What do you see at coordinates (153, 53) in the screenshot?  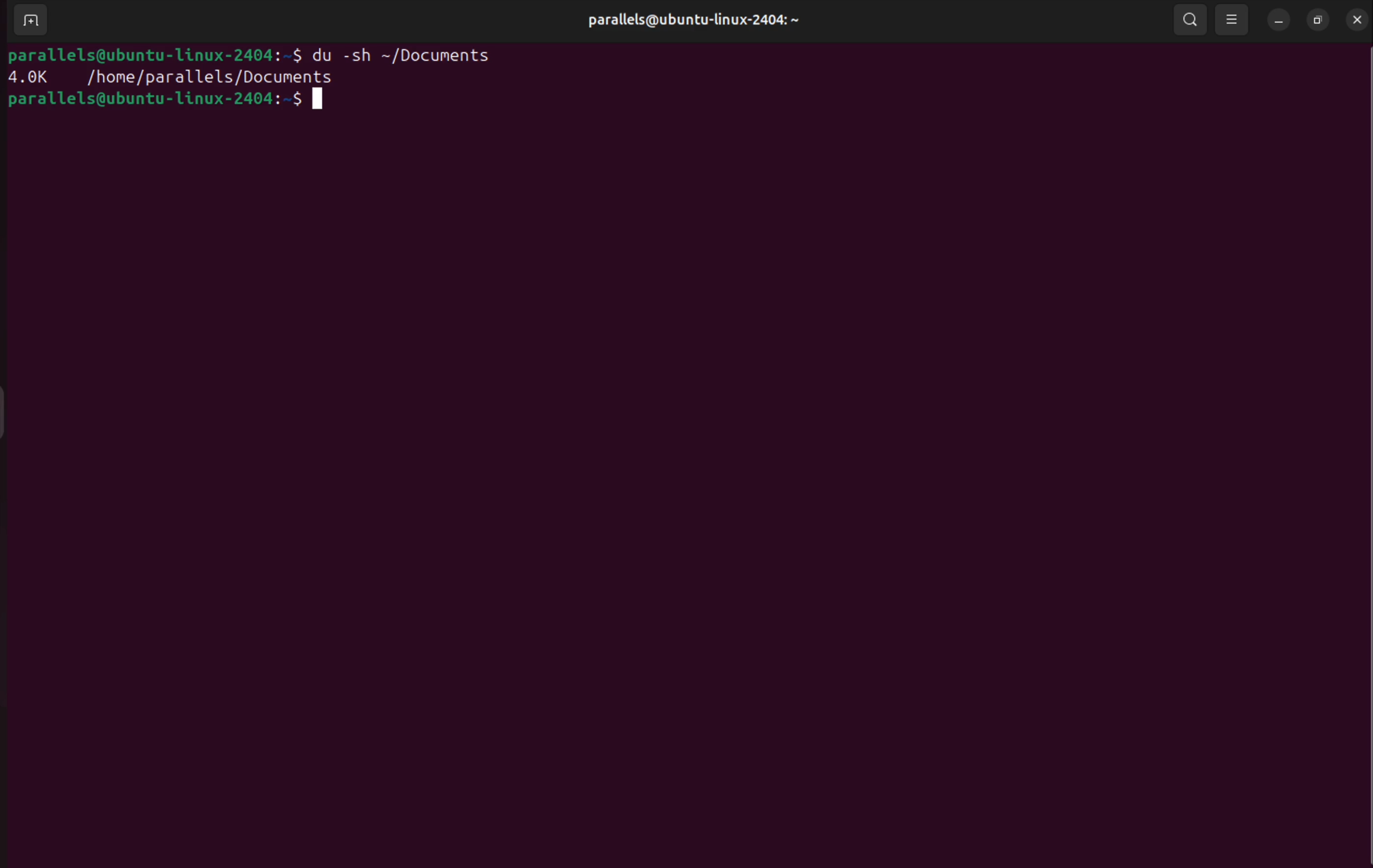 I see `parallels@ubuntu-Llinux-2404:-S` at bounding box center [153, 53].